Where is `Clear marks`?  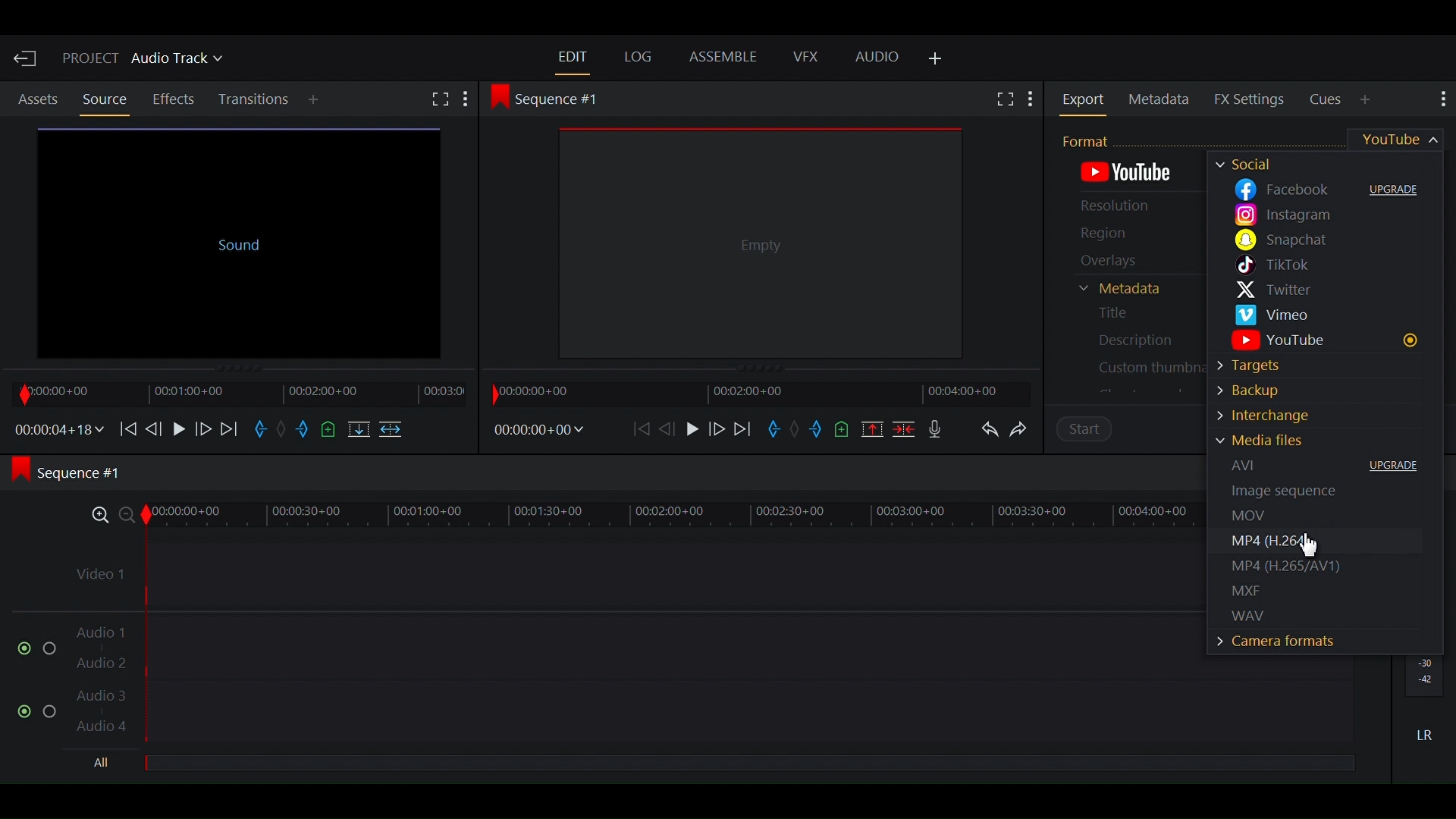
Clear marks is located at coordinates (797, 431).